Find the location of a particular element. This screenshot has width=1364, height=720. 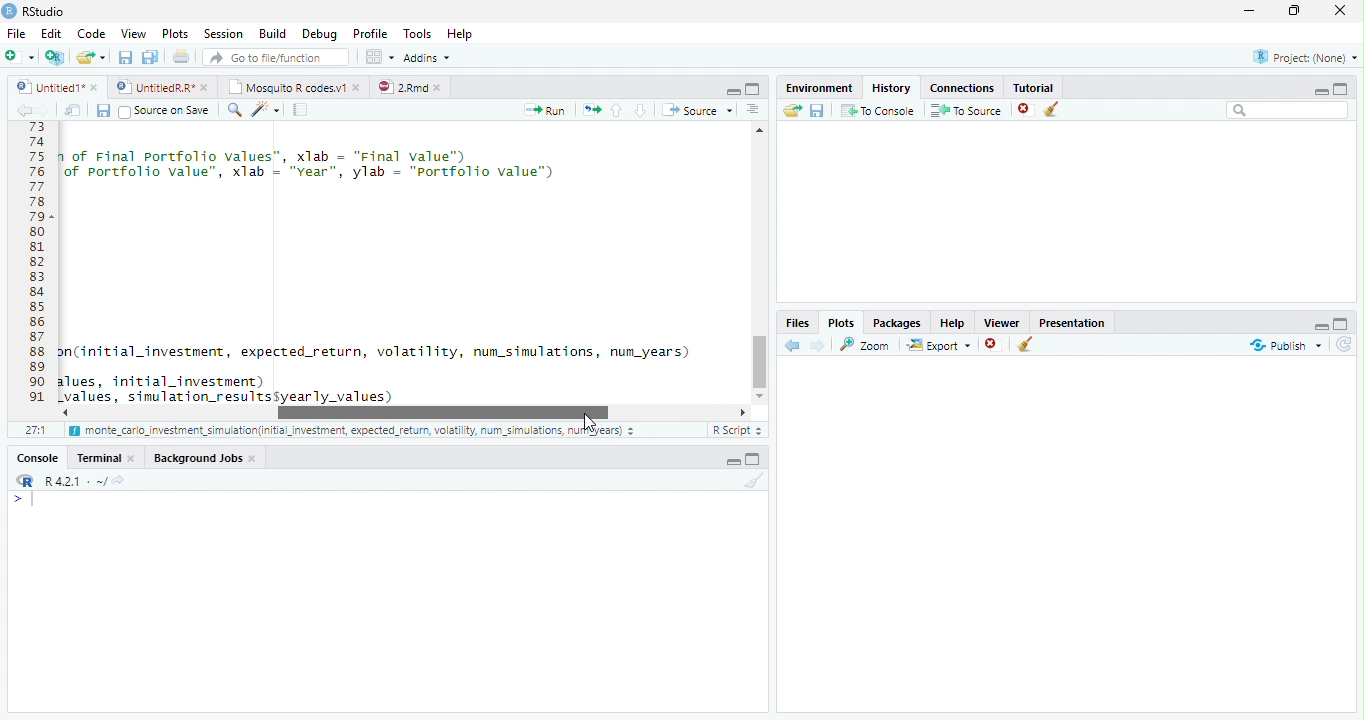

Save is located at coordinates (817, 110).